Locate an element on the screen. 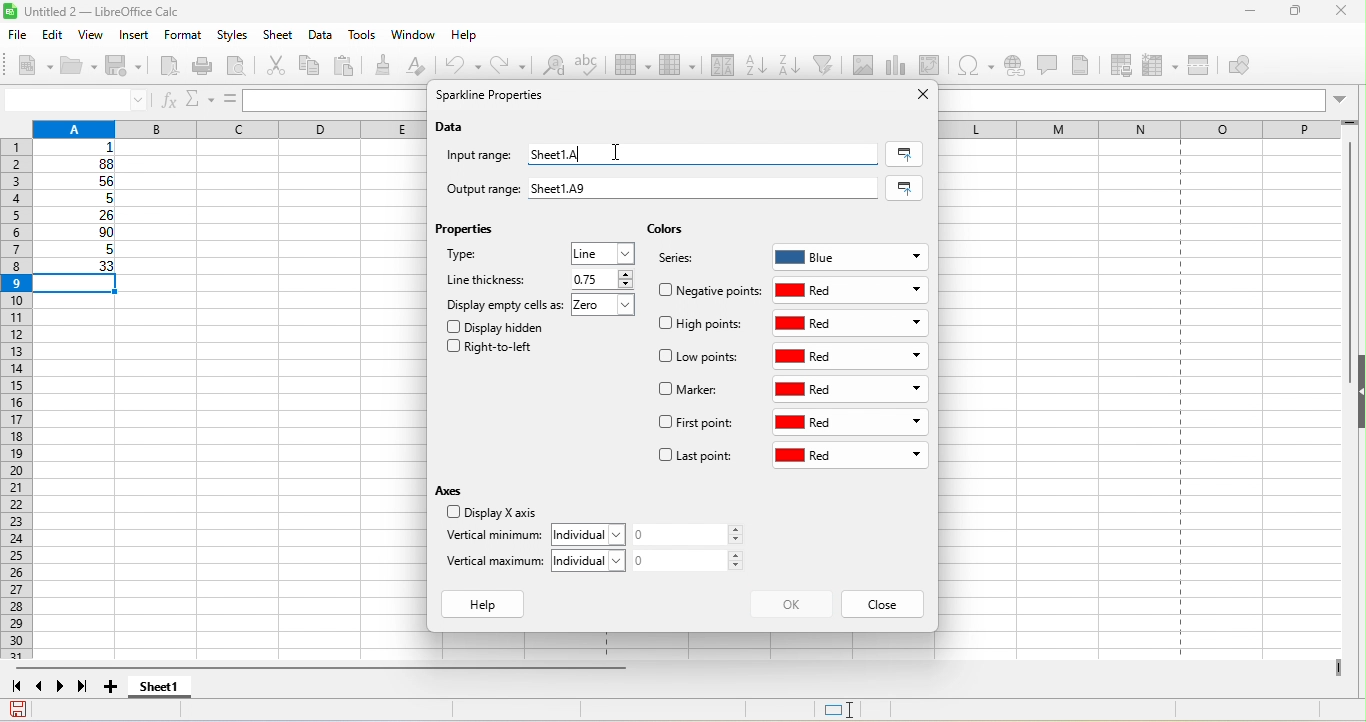  special character is located at coordinates (979, 65).